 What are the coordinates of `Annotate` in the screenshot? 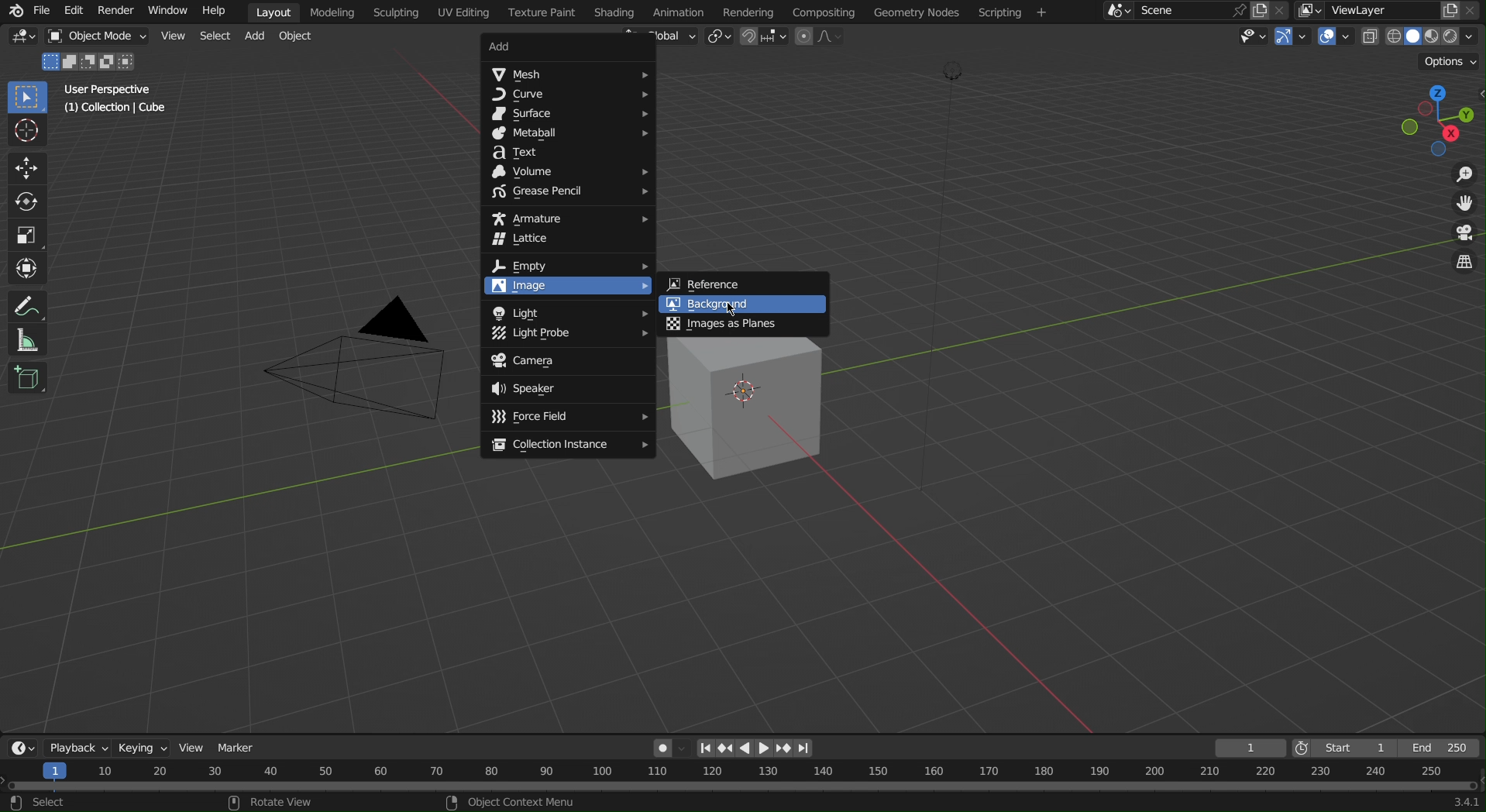 It's located at (24, 305).